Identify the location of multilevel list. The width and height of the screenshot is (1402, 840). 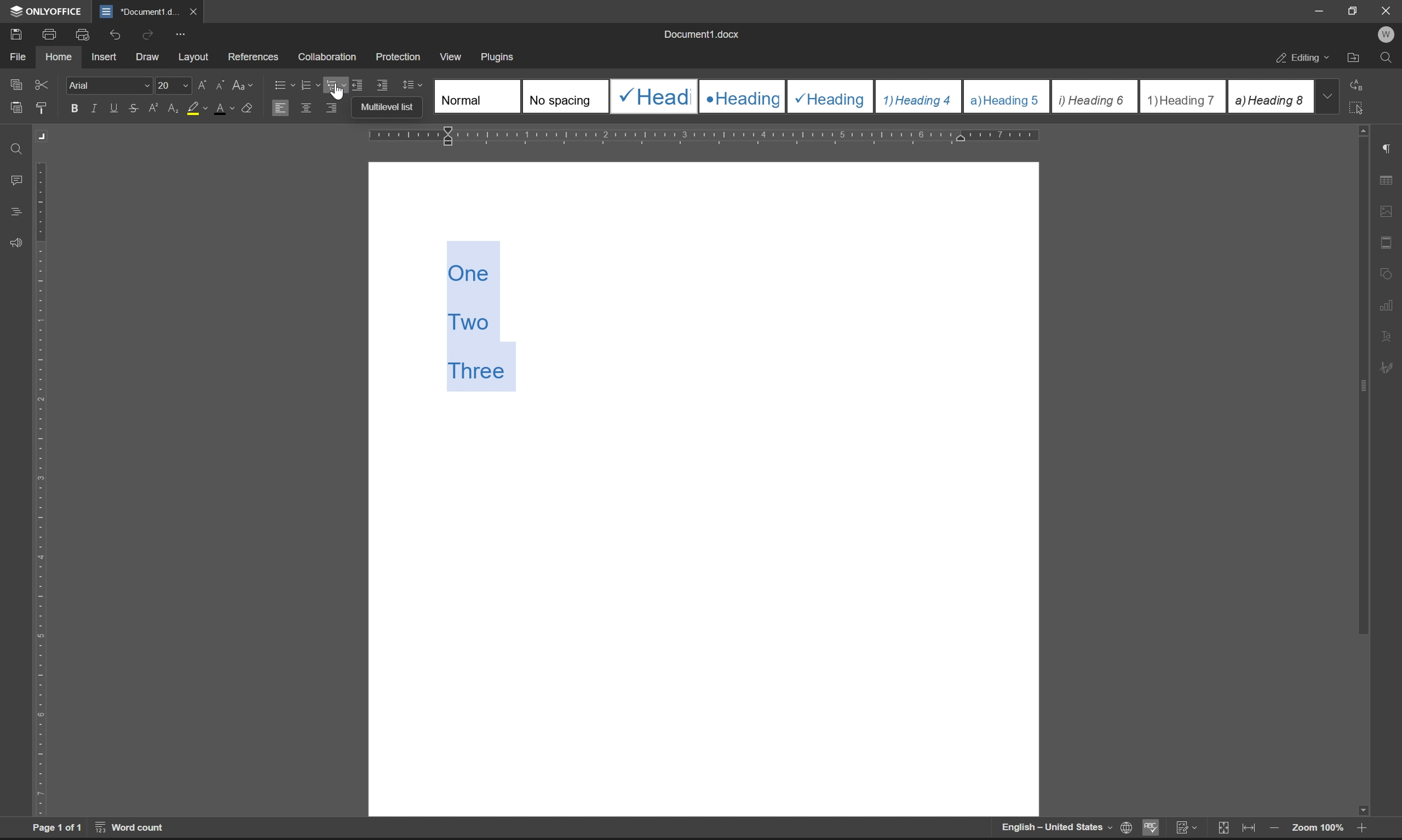
(392, 108).